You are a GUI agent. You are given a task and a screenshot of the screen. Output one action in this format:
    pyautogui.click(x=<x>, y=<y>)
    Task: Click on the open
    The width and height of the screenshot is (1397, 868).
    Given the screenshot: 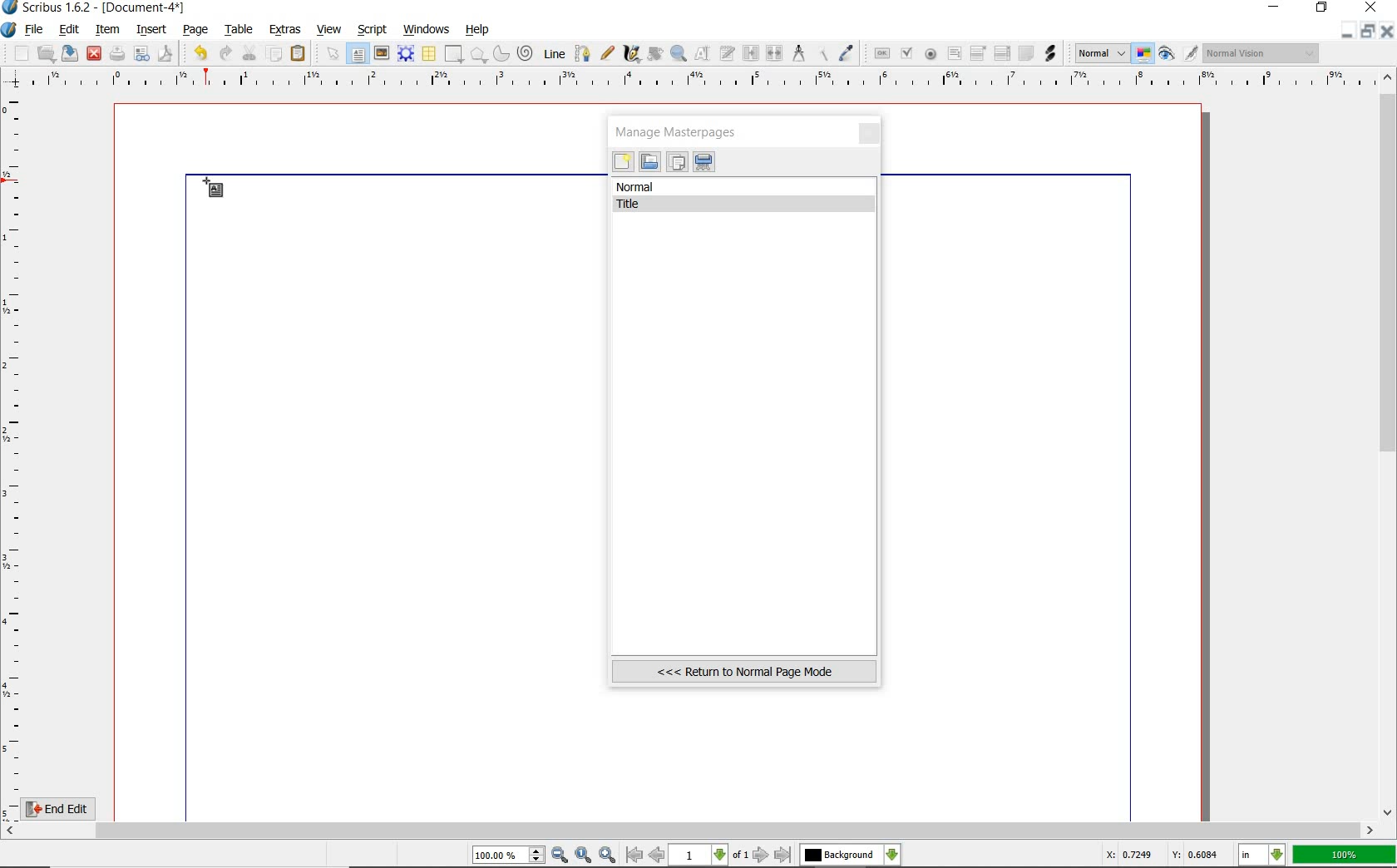 What is the action you would take?
    pyautogui.click(x=47, y=53)
    